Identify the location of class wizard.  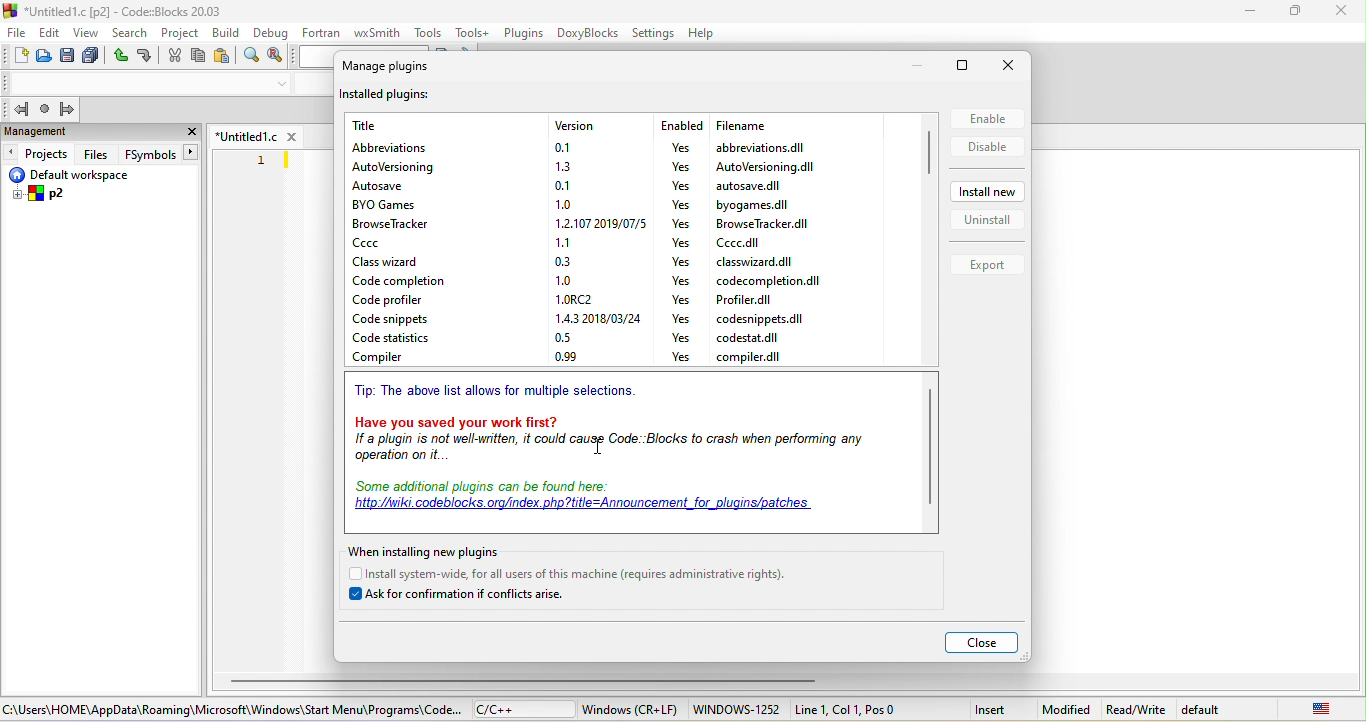
(390, 262).